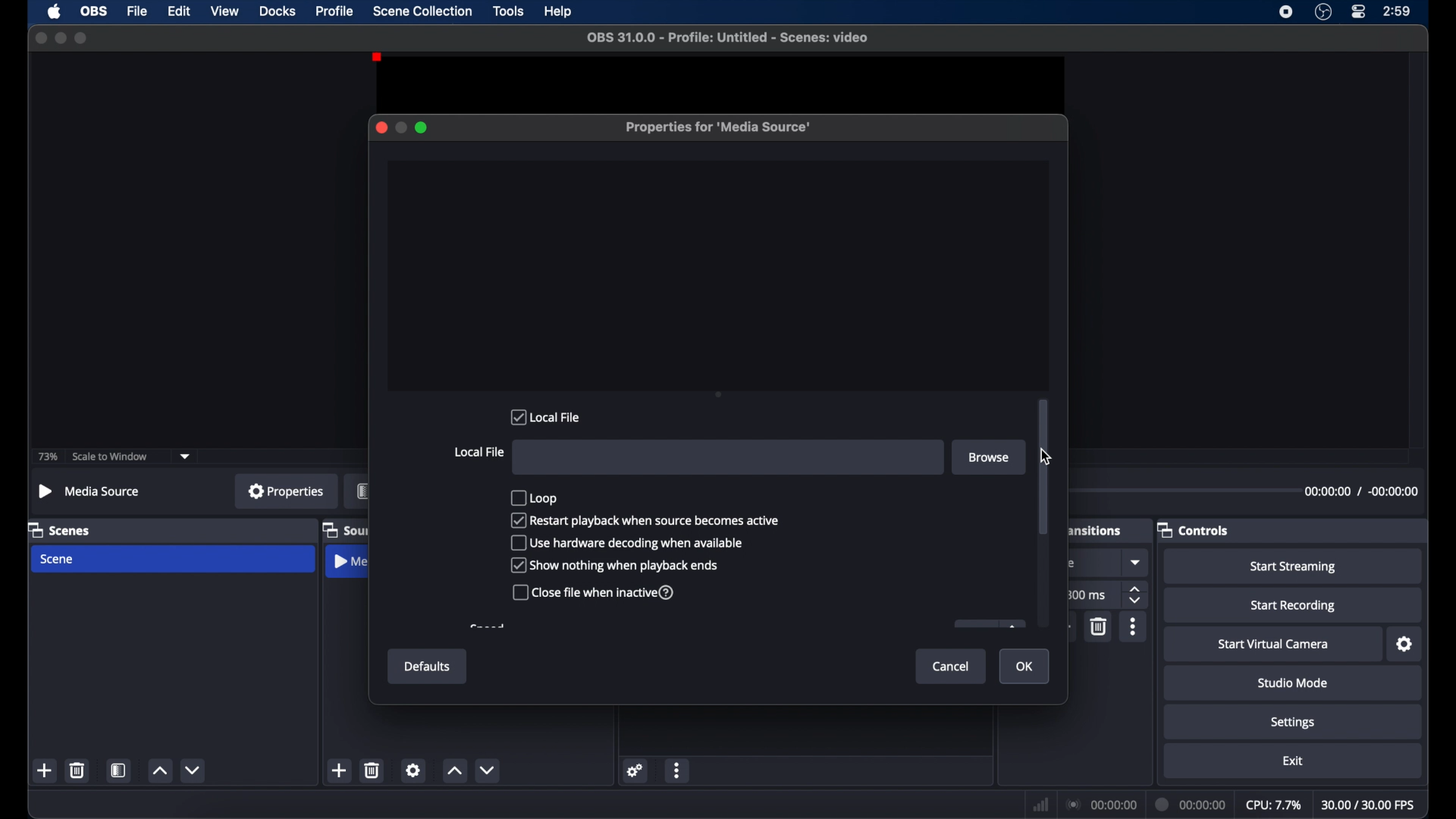 This screenshot has width=1456, height=819. Describe the element at coordinates (1363, 491) in the screenshot. I see `timestamp` at that location.